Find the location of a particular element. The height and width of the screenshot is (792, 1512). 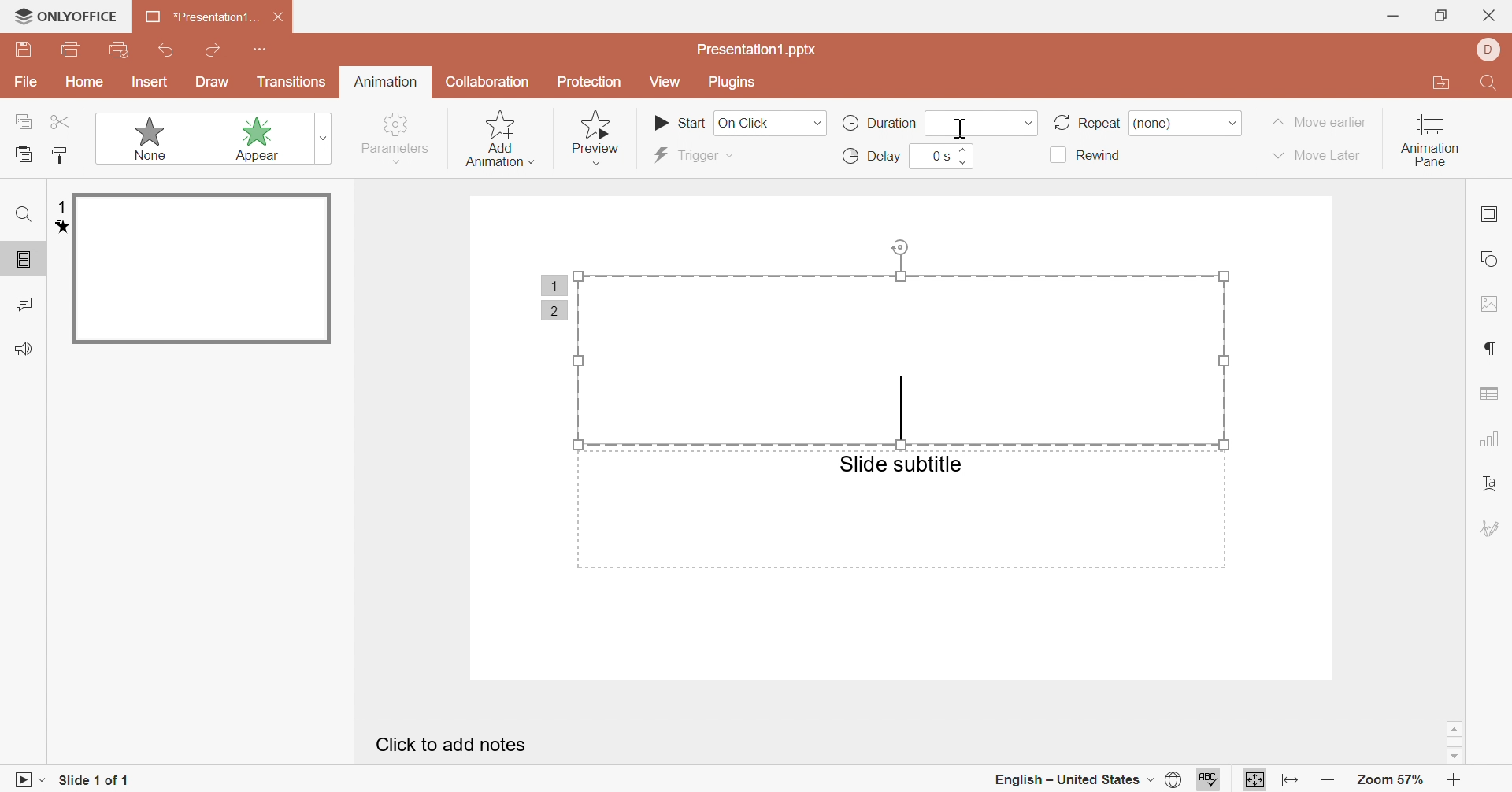

repeat is located at coordinates (1085, 124).